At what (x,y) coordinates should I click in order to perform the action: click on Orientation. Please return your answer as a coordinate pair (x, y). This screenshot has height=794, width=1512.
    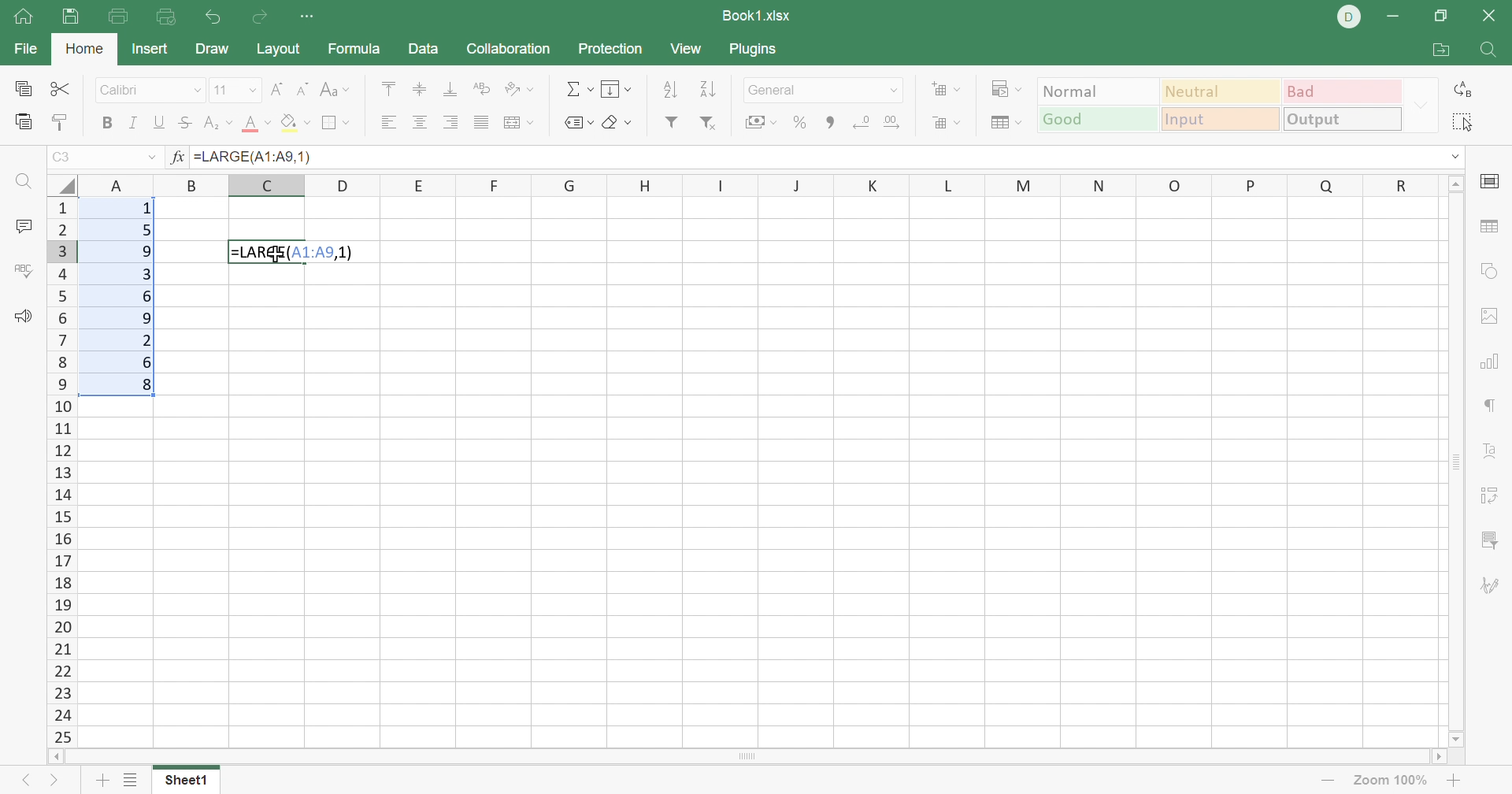
    Looking at the image, I should click on (521, 86).